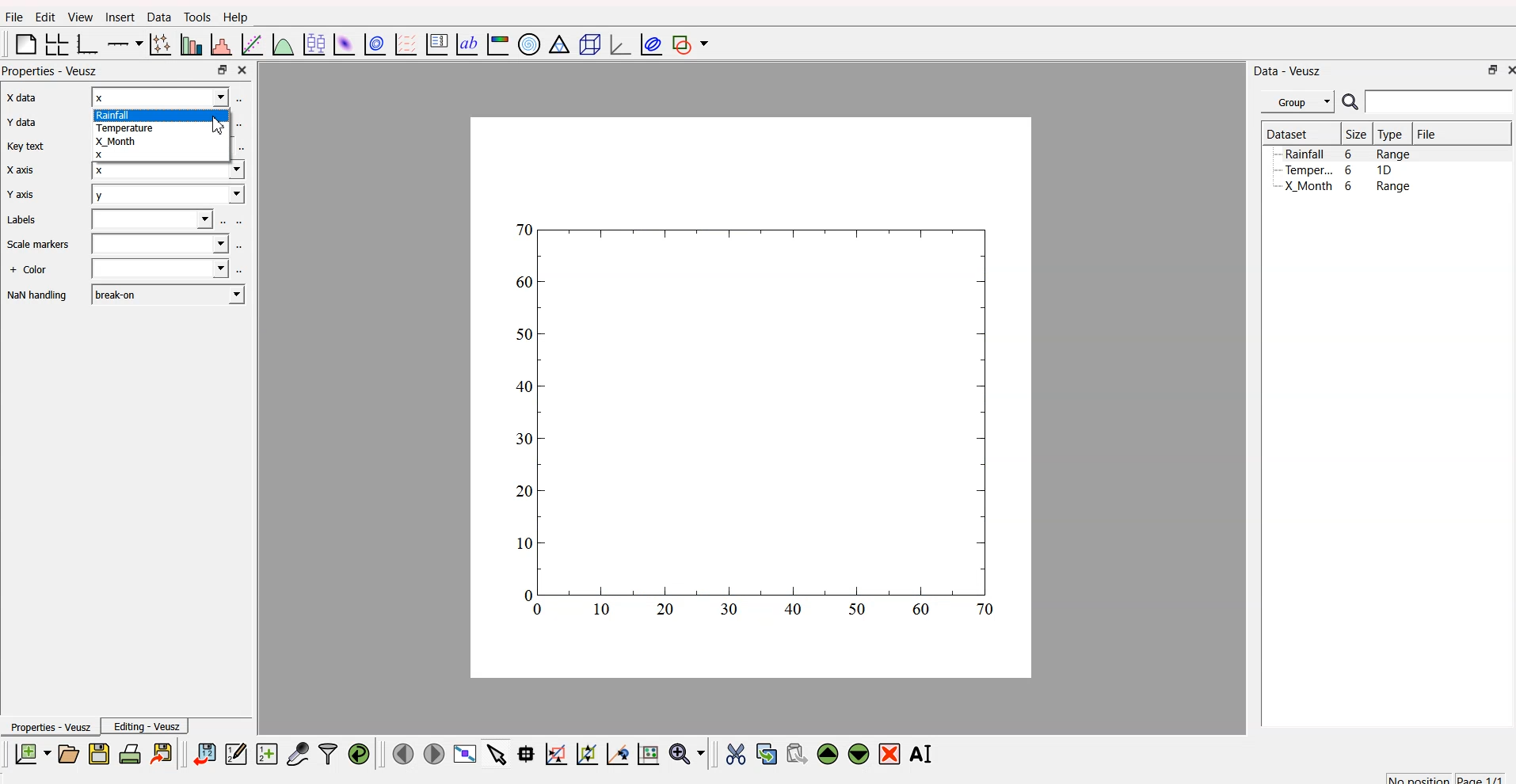 The image size is (1516, 784). I want to click on x, so click(163, 173).